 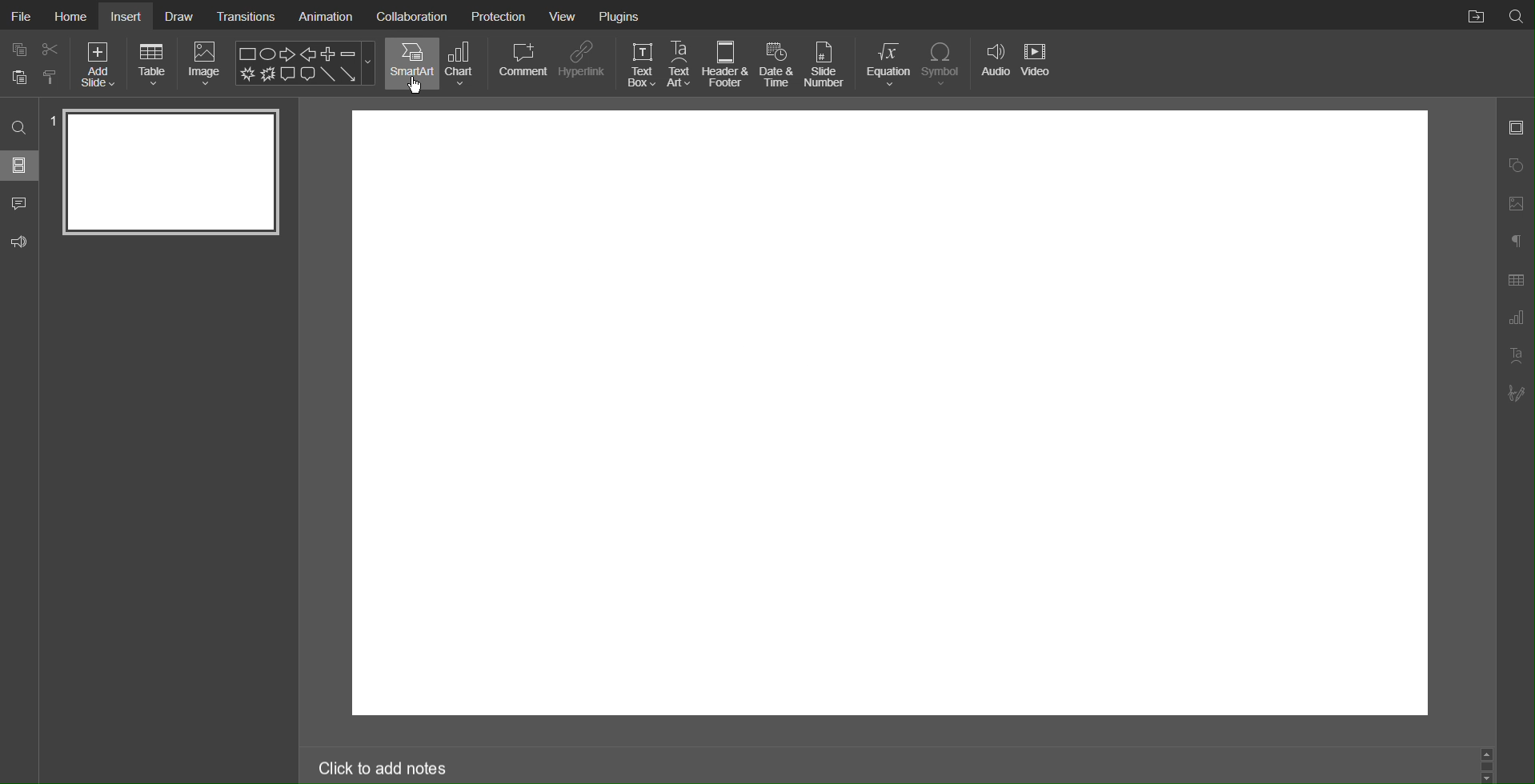 What do you see at coordinates (726, 64) in the screenshot?
I see `Header & Footer` at bounding box center [726, 64].